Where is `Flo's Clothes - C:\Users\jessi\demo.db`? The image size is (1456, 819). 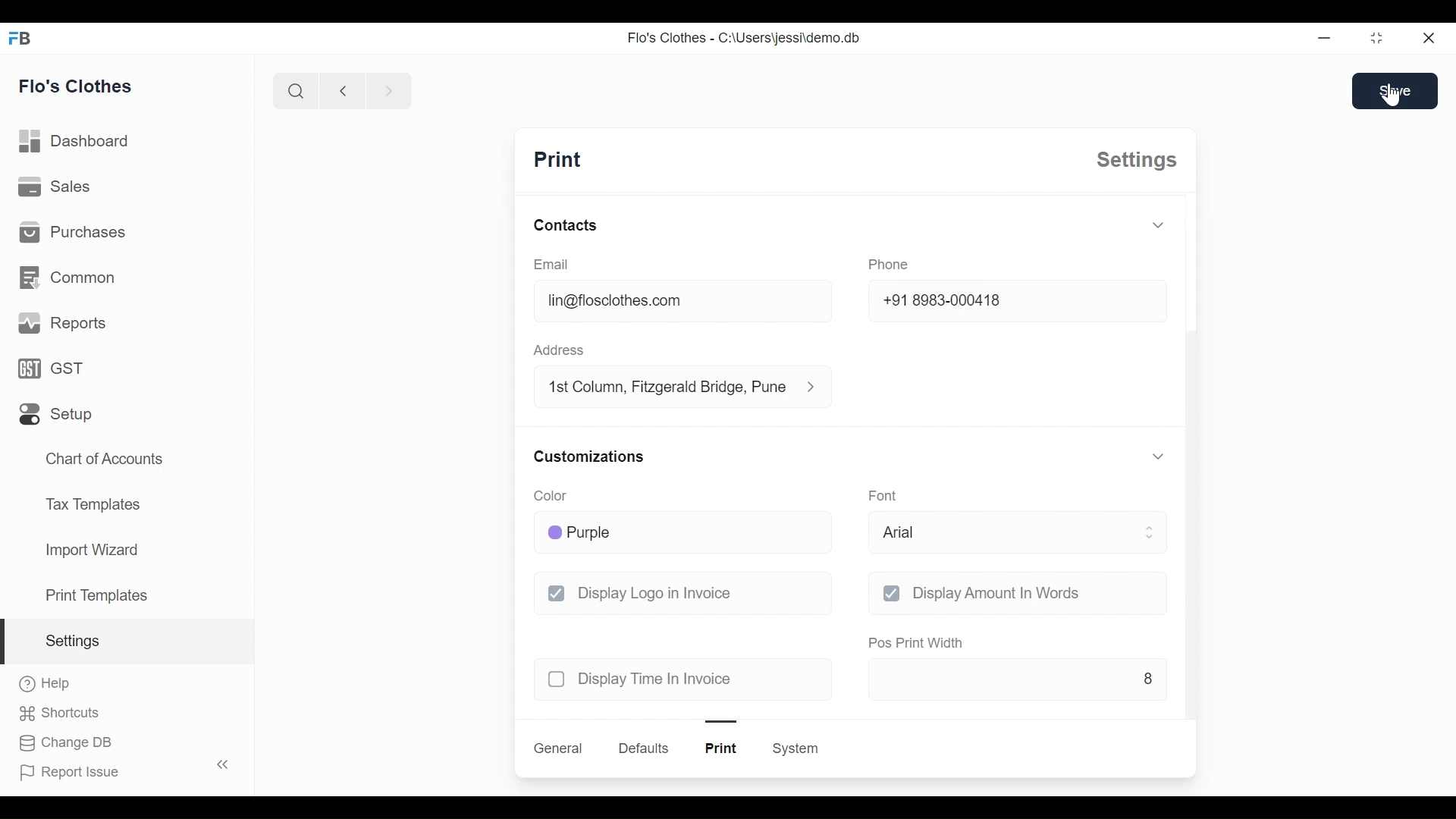
Flo's Clothes - C:\Users\jessi\demo.db is located at coordinates (745, 37).